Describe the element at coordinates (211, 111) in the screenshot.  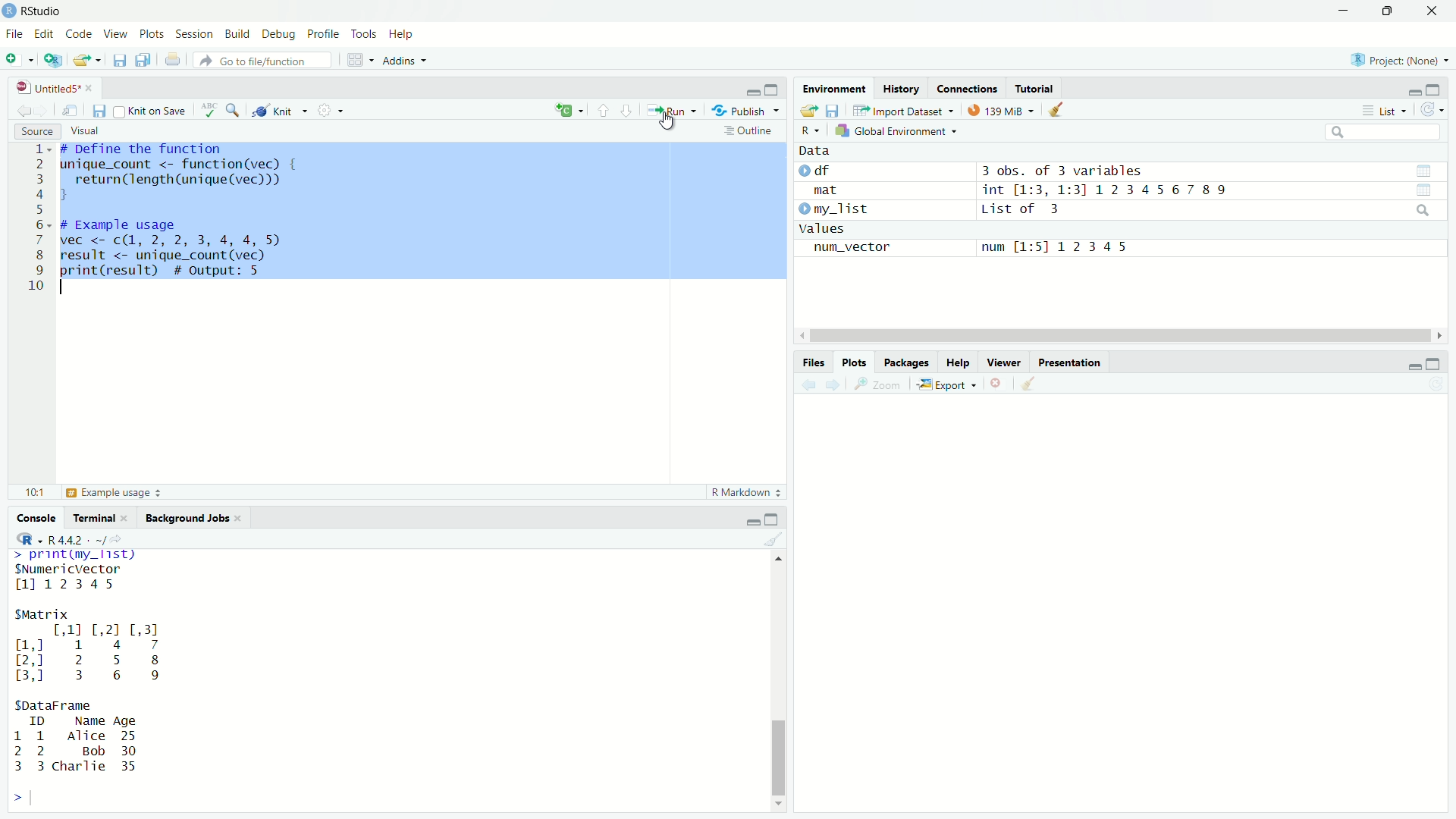
I see `check spelling` at that location.